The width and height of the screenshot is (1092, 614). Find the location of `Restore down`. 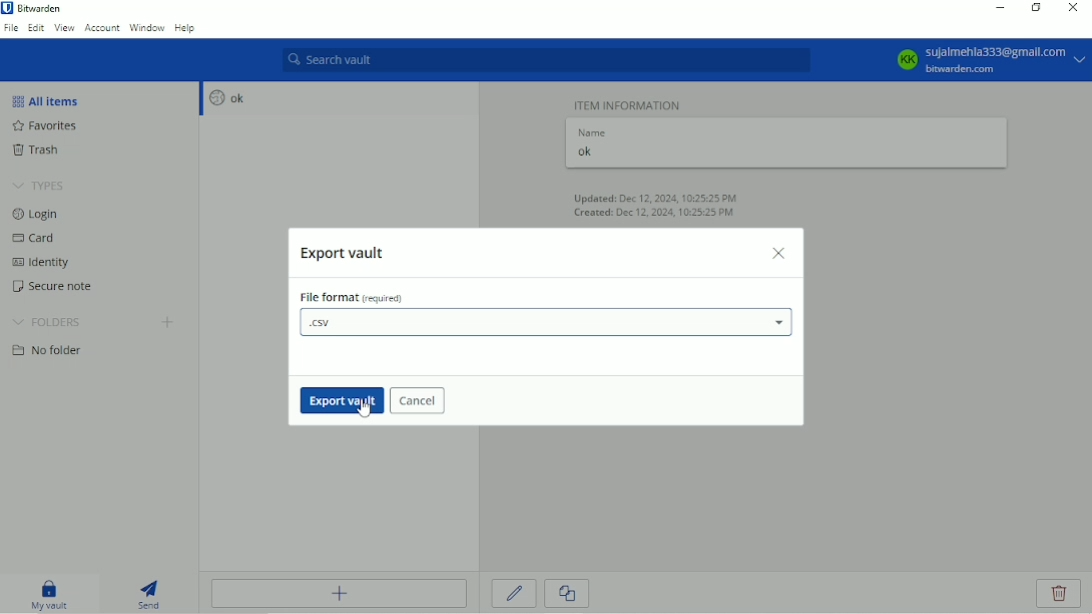

Restore down is located at coordinates (1036, 7).